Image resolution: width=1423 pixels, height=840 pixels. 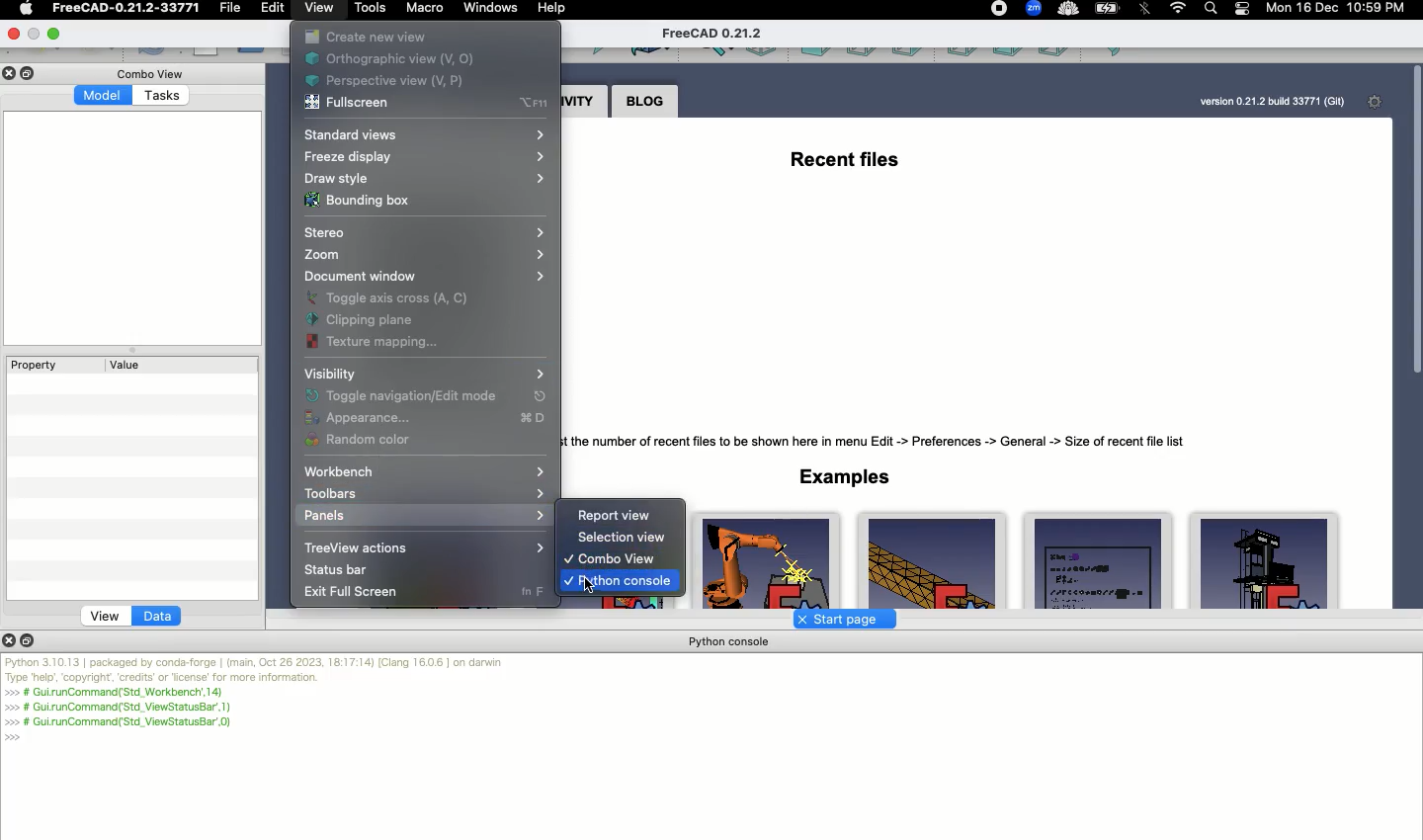 I want to click on Visibility , so click(x=424, y=376).